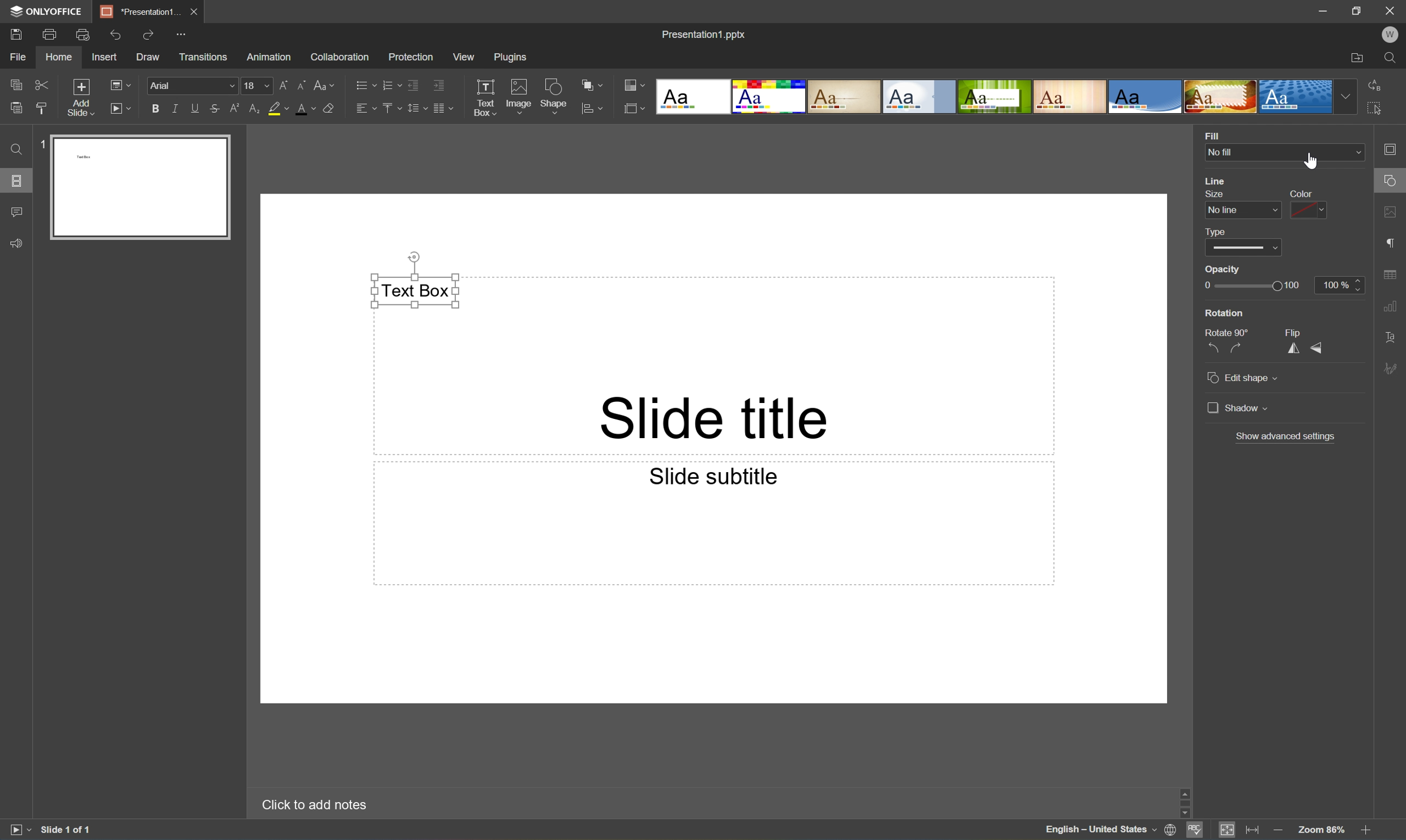 The image size is (1406, 840). I want to click on Color, so click(1306, 192).